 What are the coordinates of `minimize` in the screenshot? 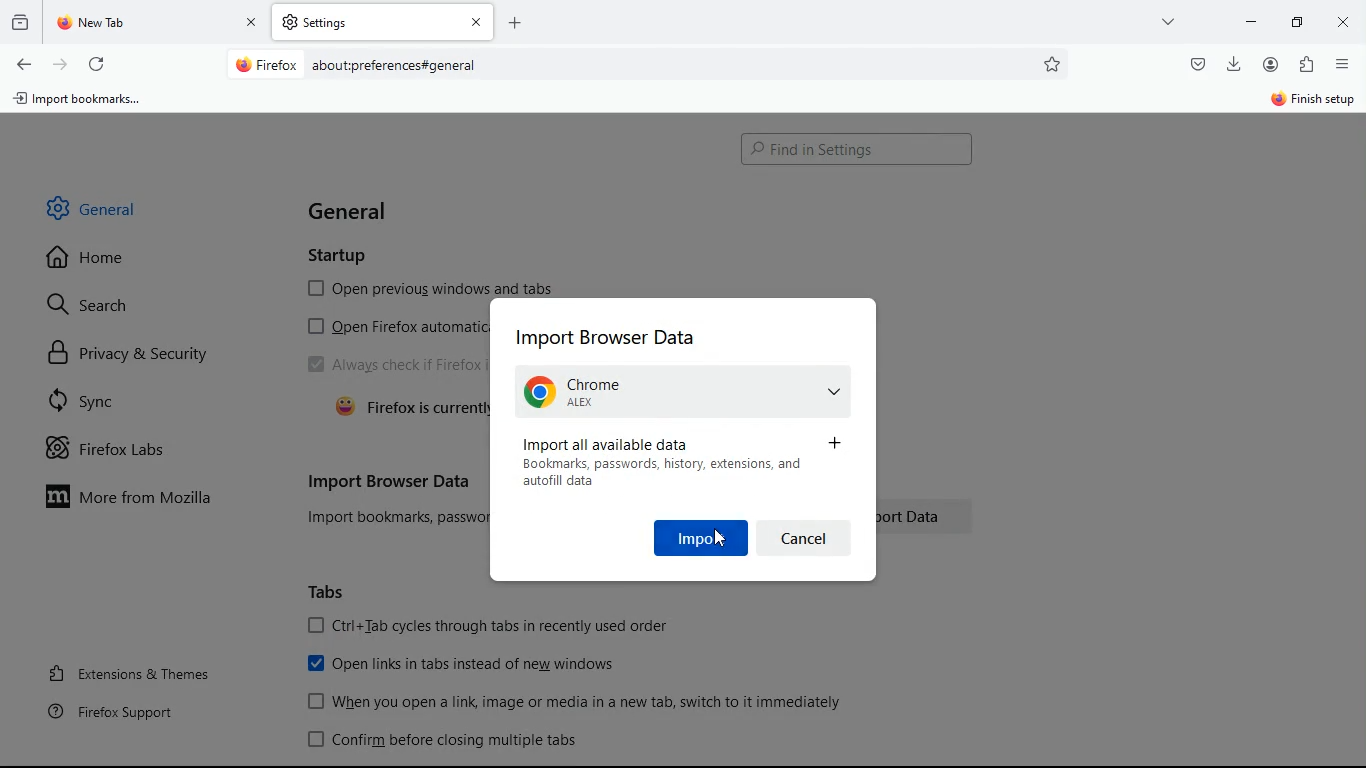 It's located at (1252, 22).